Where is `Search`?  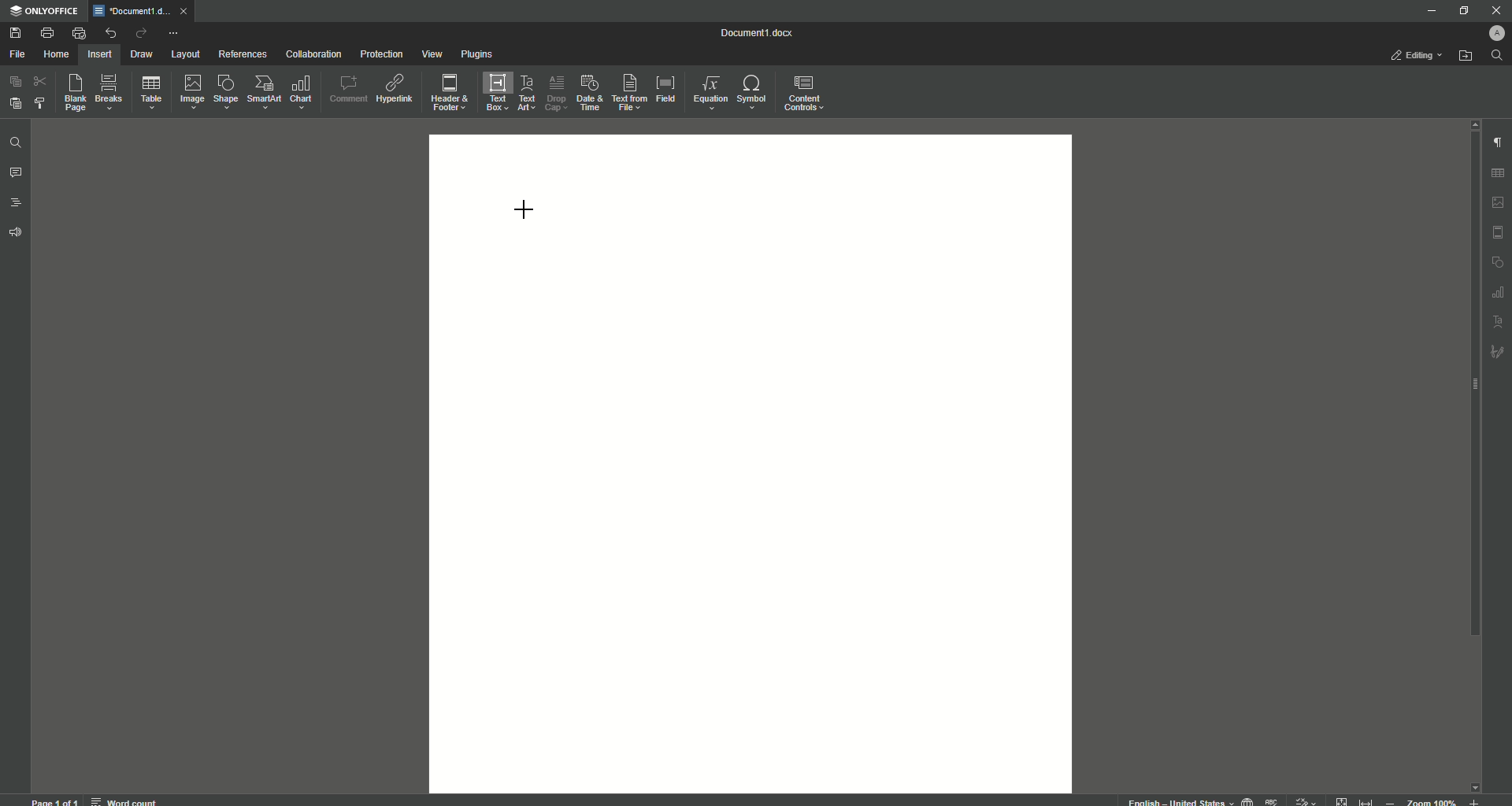 Search is located at coordinates (1497, 56).